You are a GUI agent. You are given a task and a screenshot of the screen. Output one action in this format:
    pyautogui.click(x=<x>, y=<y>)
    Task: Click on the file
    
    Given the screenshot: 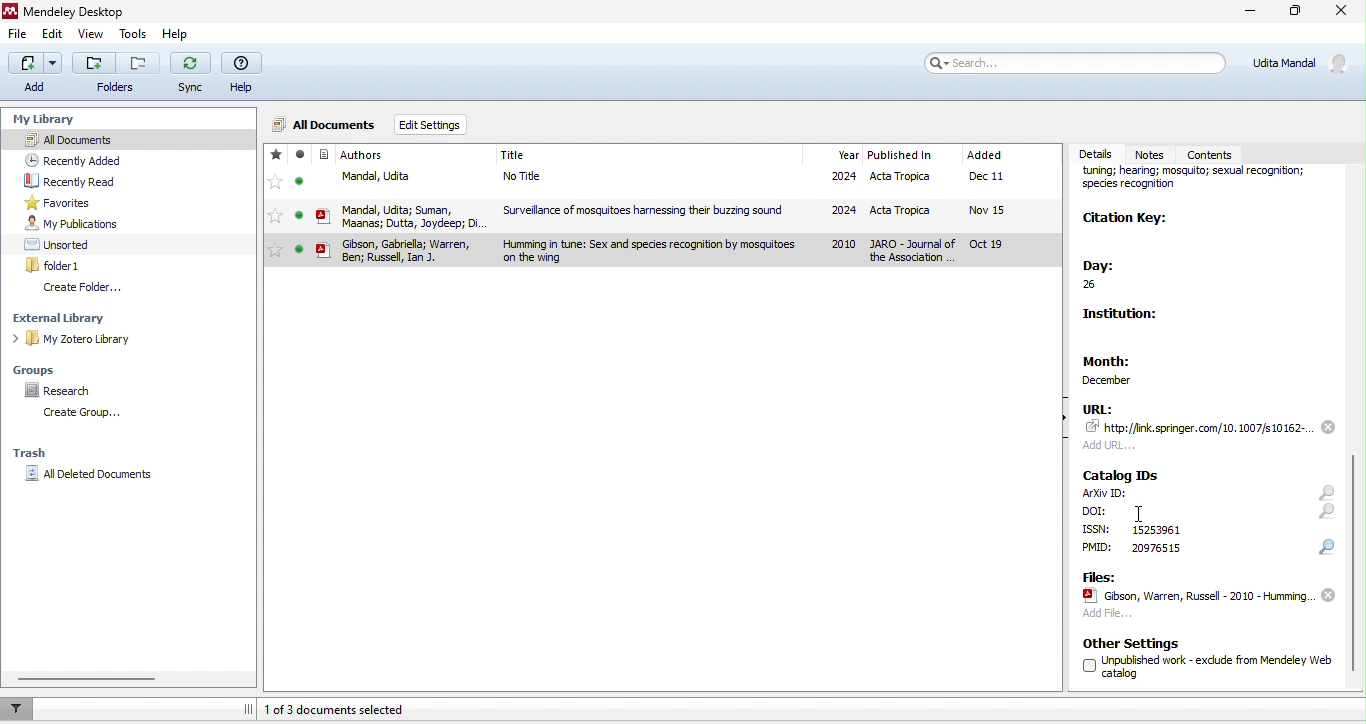 What is the action you would take?
    pyautogui.click(x=700, y=179)
    